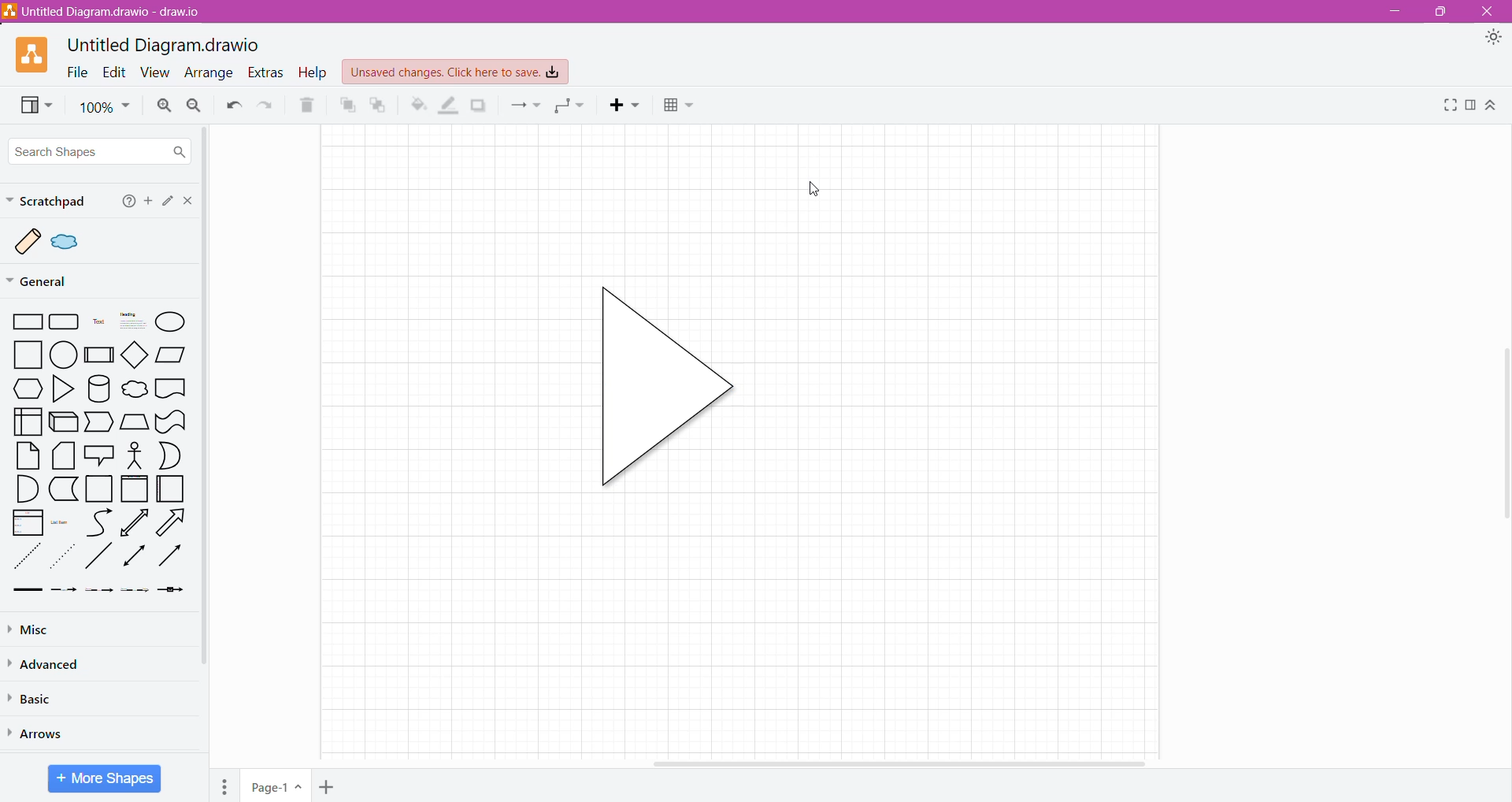  I want to click on Close, so click(187, 200).